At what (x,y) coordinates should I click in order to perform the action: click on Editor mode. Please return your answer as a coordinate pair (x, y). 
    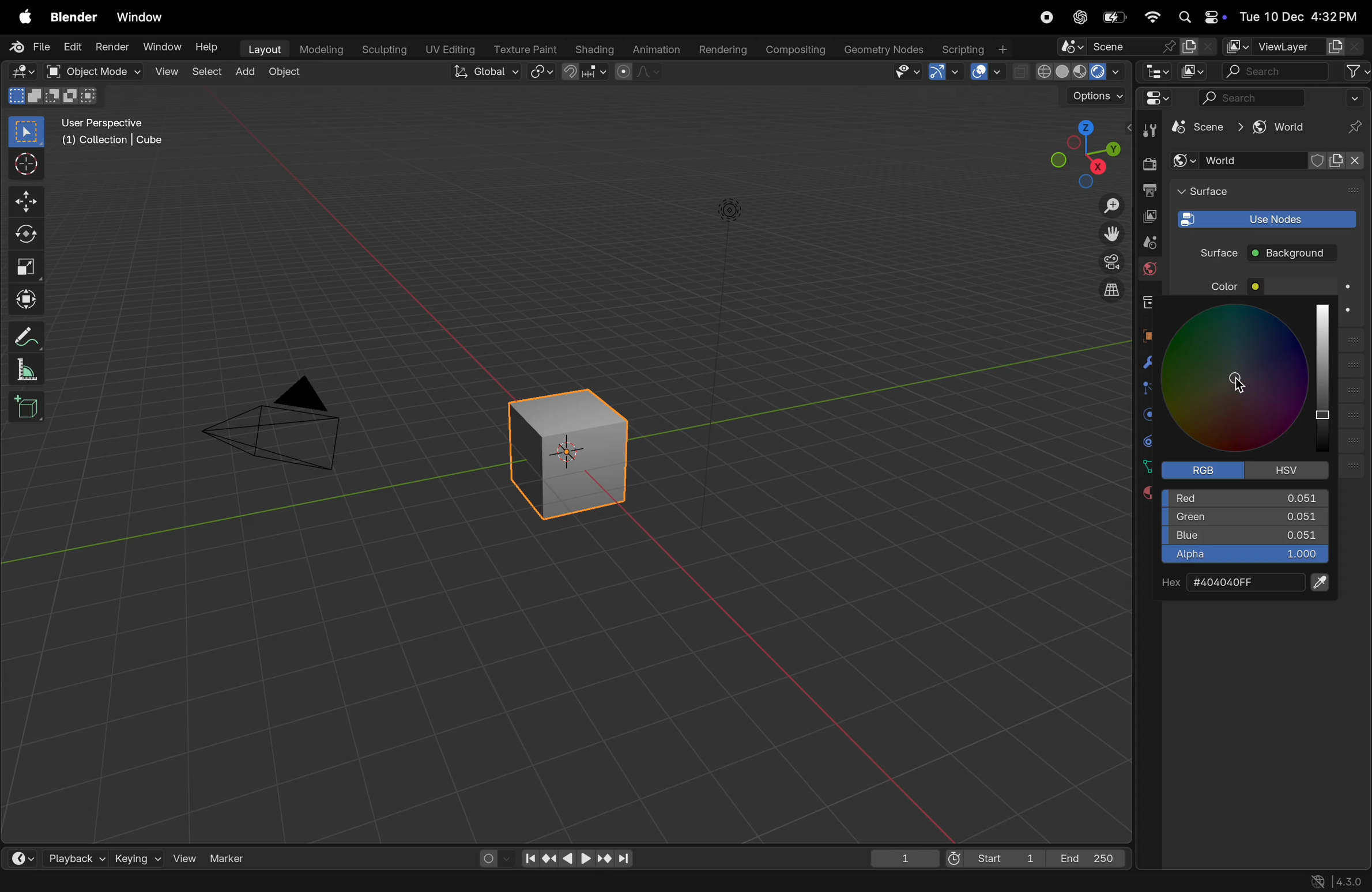
    Looking at the image, I should click on (1155, 98).